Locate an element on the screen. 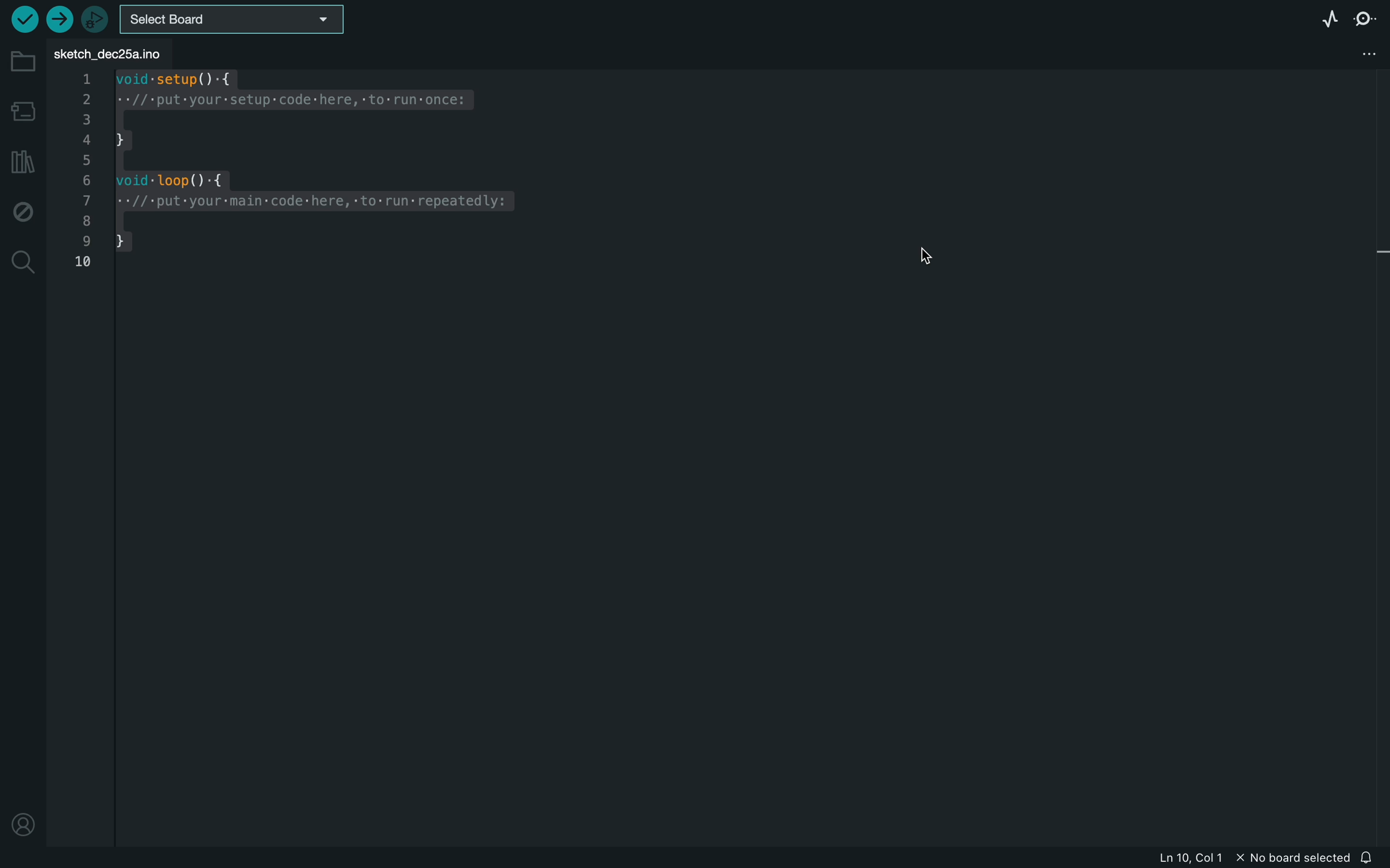 This screenshot has height=868, width=1390. file  settings is located at coordinates (1350, 54).